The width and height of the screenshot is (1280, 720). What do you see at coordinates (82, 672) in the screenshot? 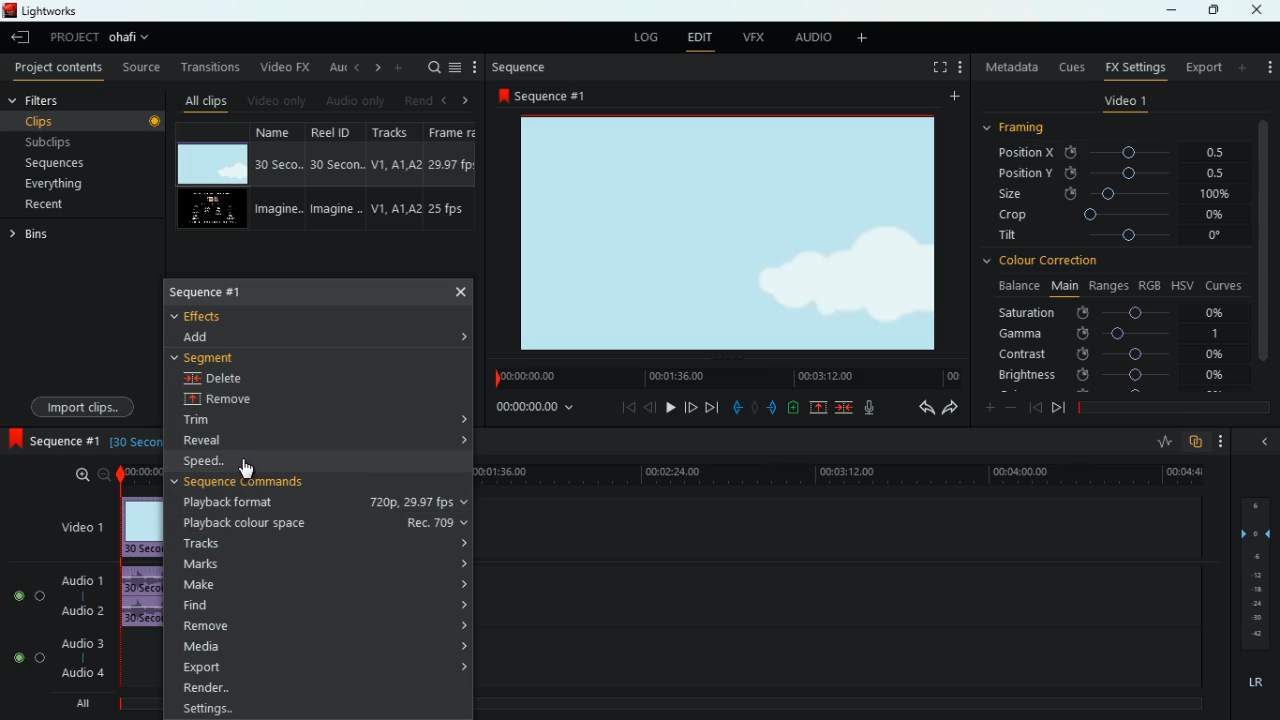
I see `audio 4` at bounding box center [82, 672].